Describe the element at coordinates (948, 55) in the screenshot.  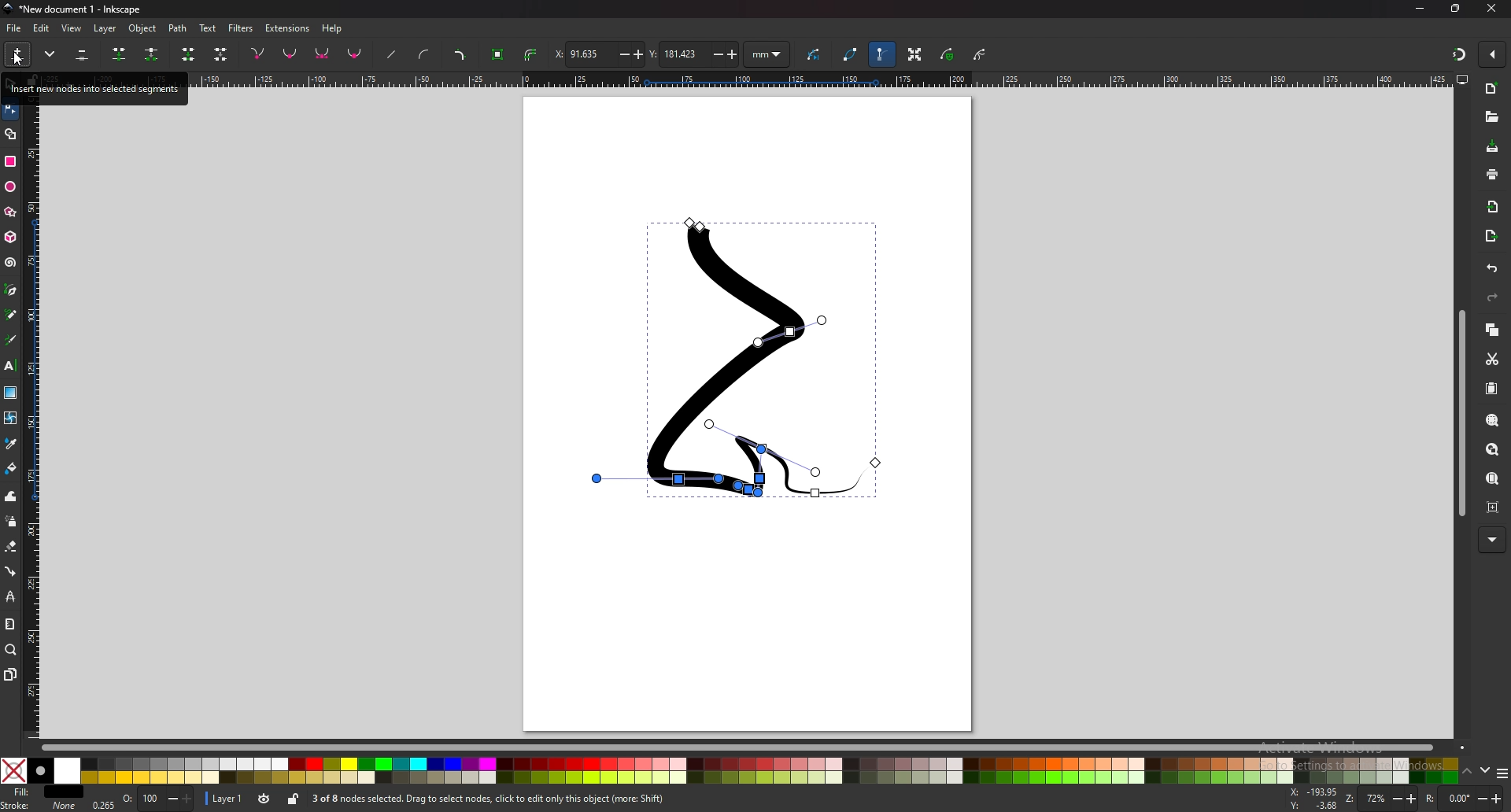
I see `mask` at that location.